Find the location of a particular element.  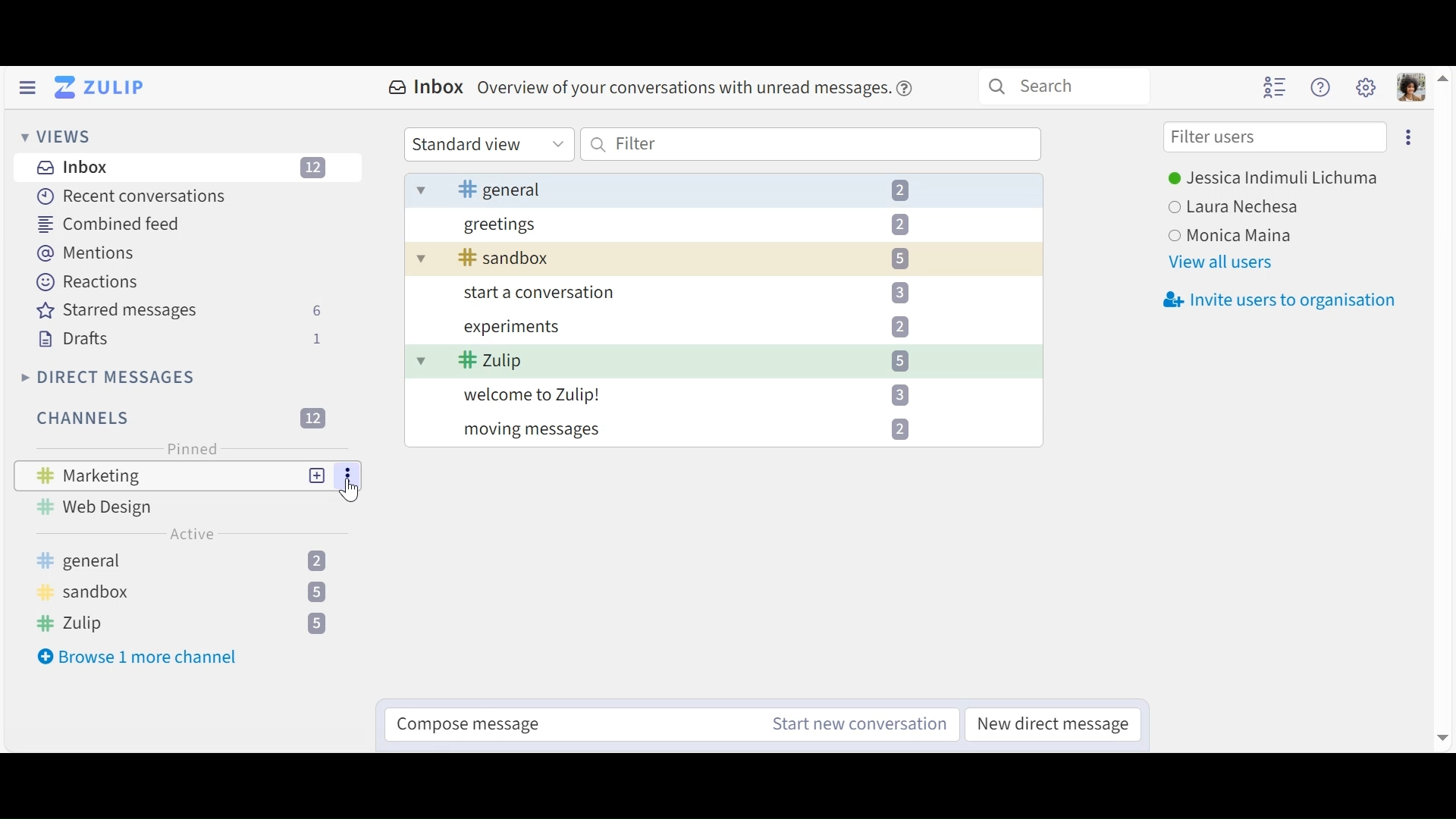

Hide user list is located at coordinates (1276, 88).